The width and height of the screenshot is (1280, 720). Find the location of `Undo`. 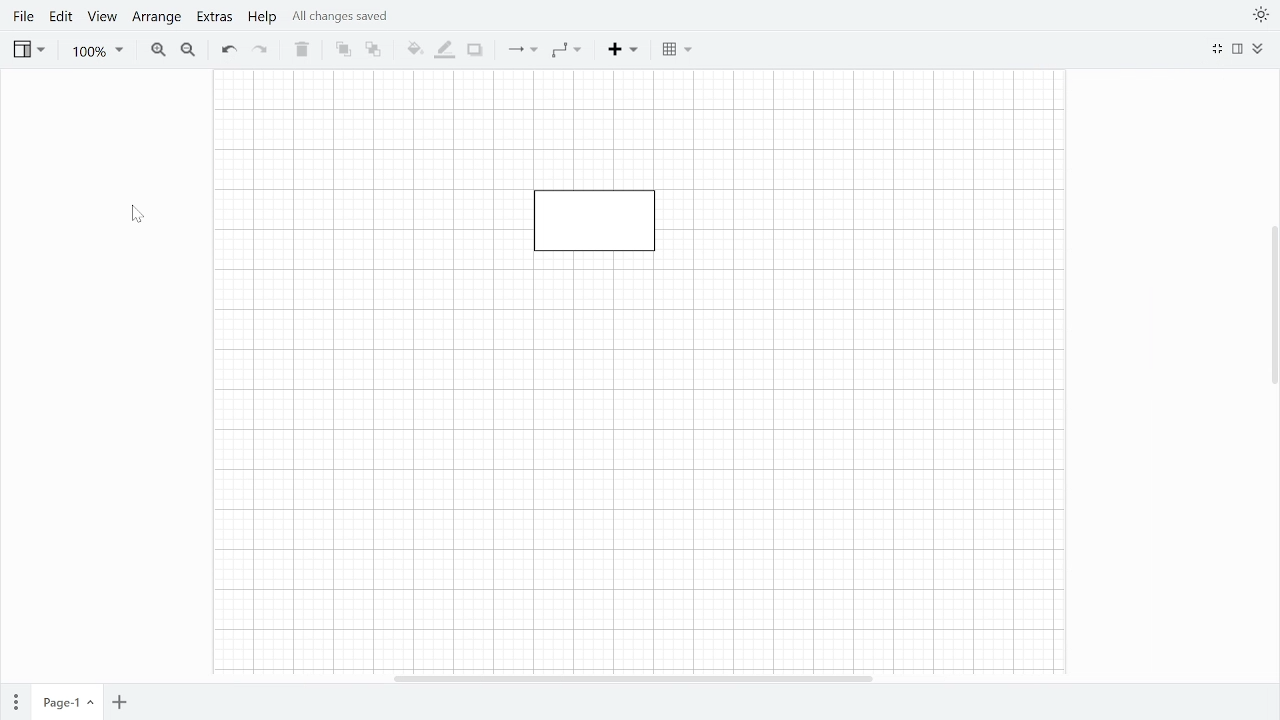

Undo is located at coordinates (228, 50).